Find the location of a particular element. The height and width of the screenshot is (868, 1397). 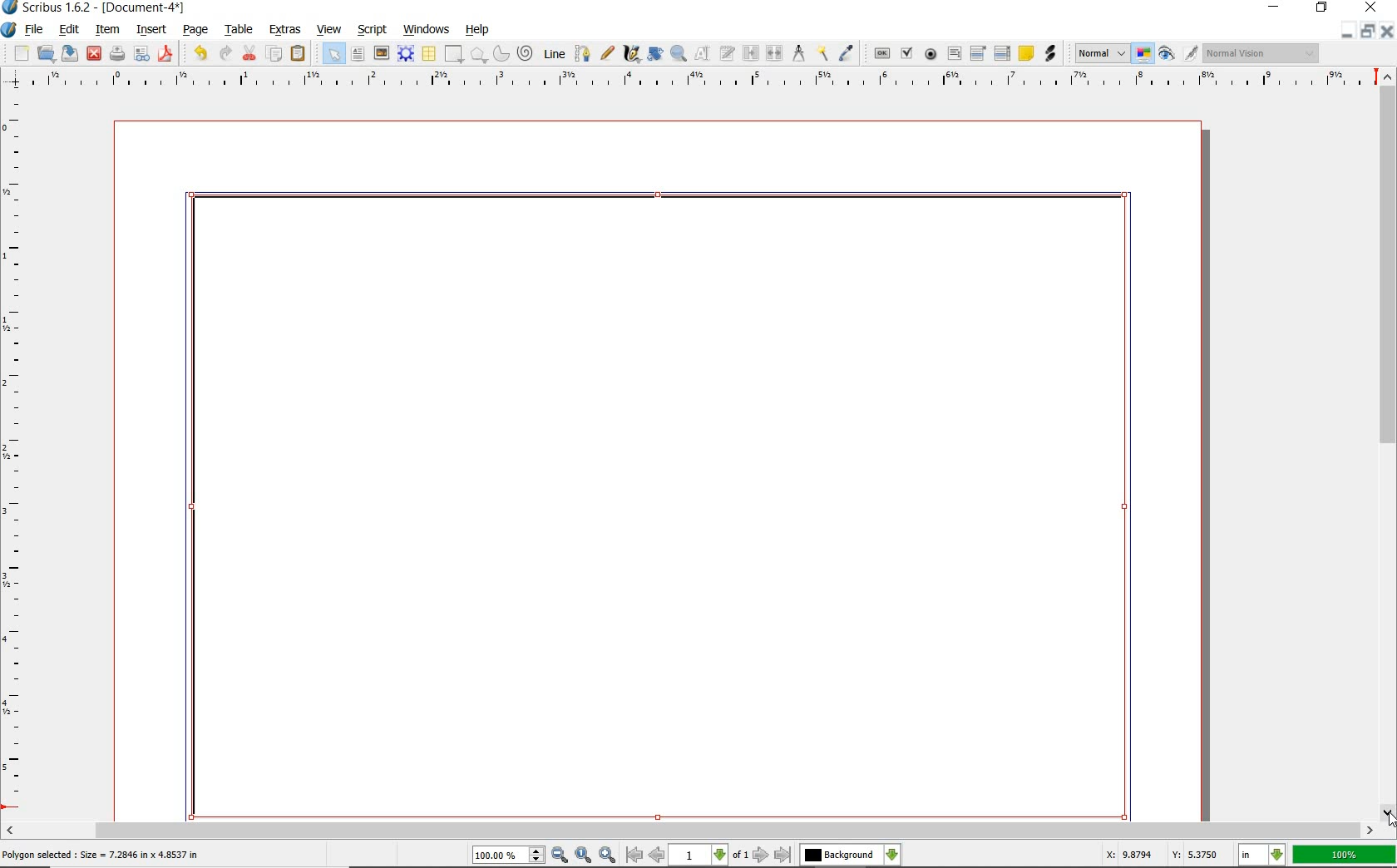

restore is located at coordinates (1321, 9).